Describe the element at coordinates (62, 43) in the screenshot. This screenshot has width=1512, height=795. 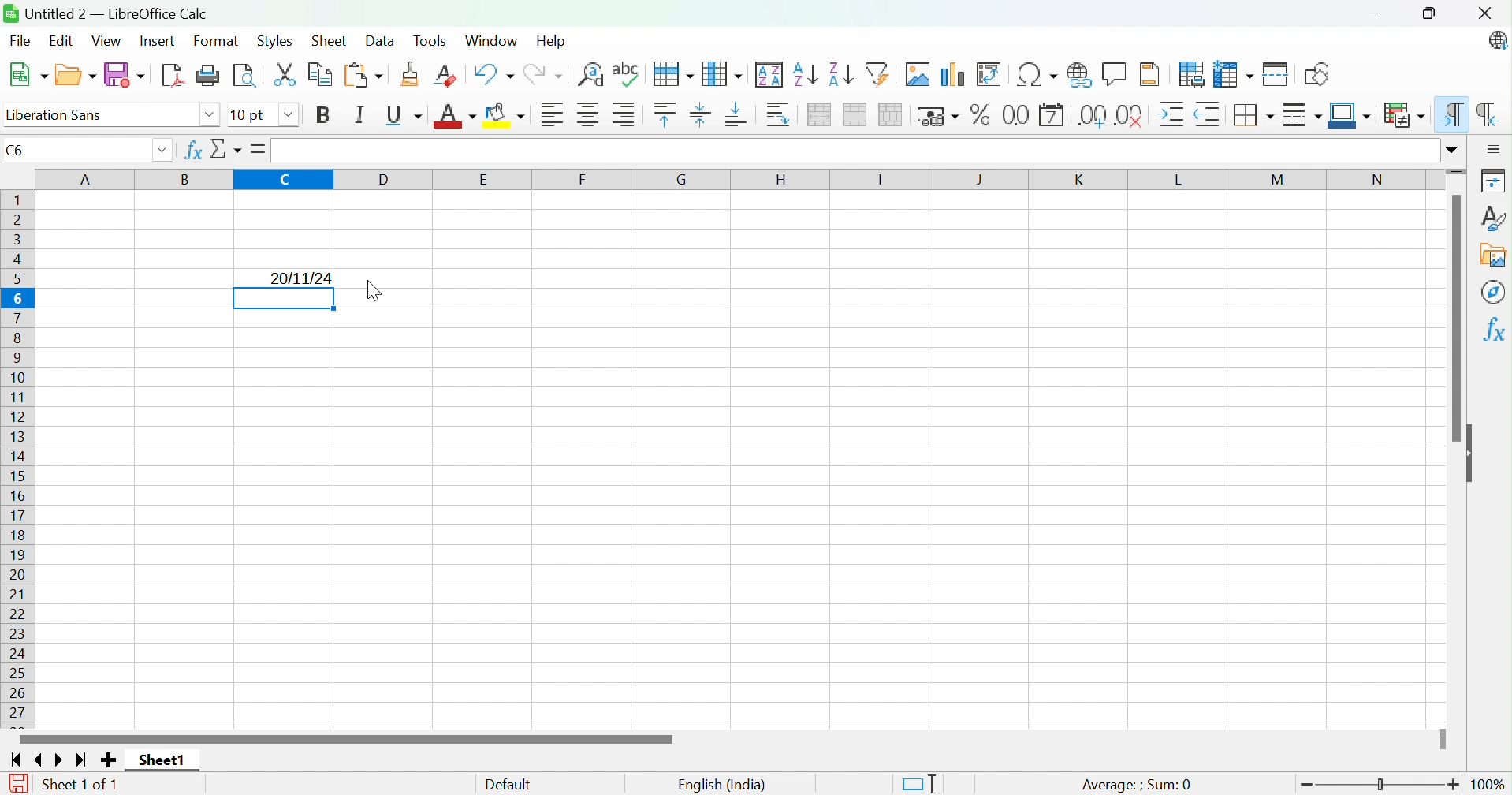
I see `Edit` at that location.